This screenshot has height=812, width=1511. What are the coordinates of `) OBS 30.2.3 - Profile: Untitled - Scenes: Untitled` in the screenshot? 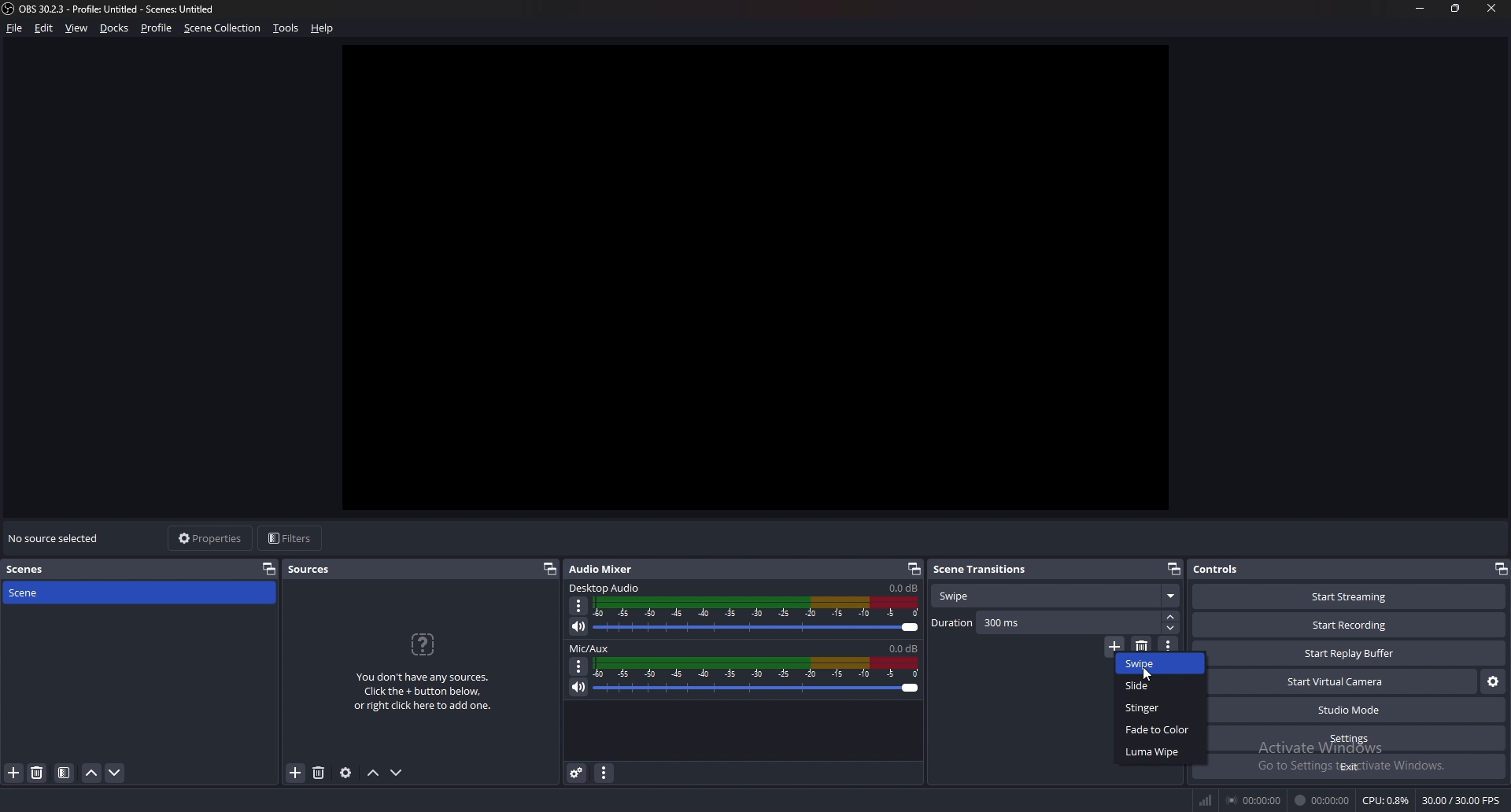 It's located at (126, 9).